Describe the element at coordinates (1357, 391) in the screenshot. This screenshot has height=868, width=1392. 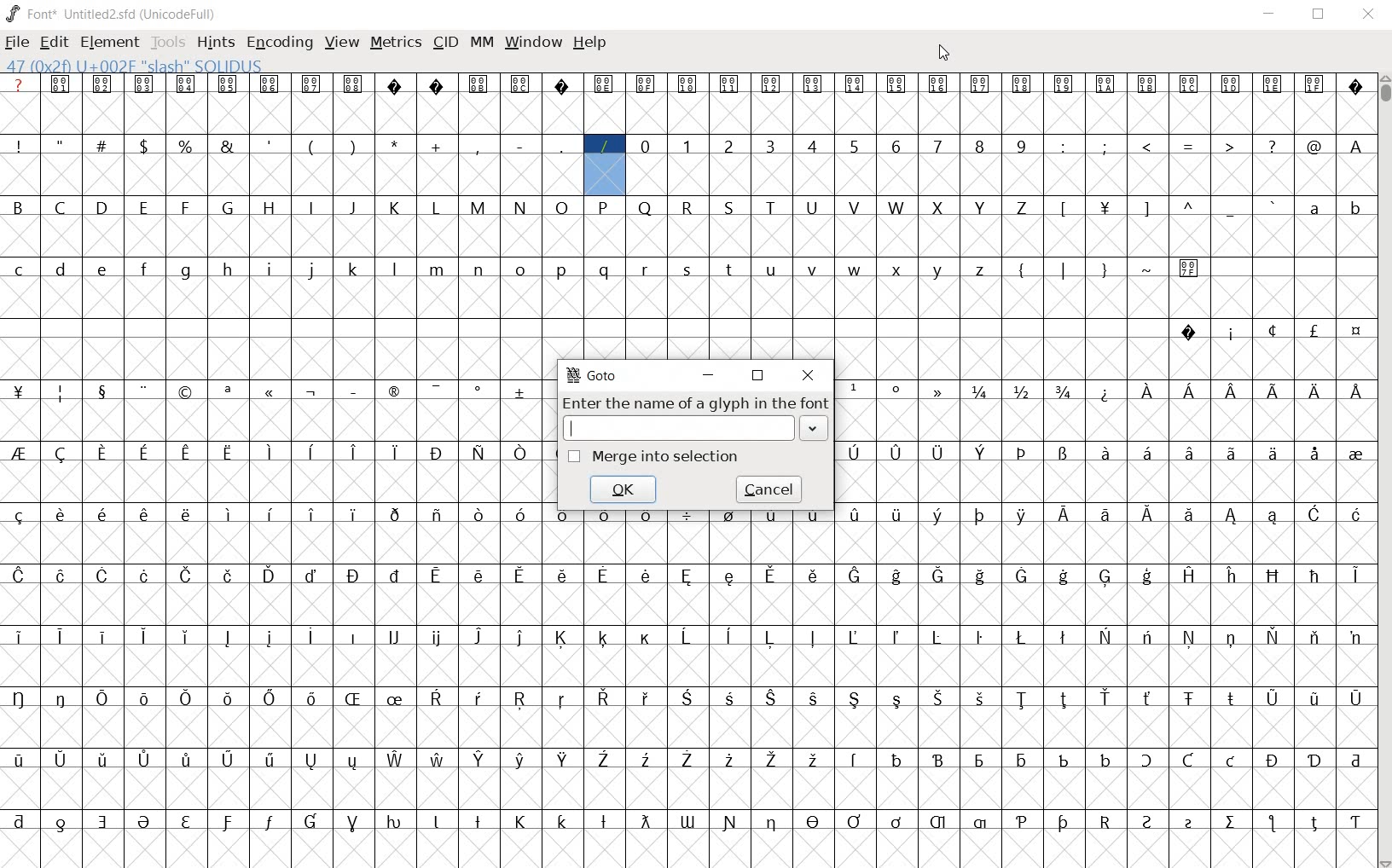
I see `glyph` at that location.